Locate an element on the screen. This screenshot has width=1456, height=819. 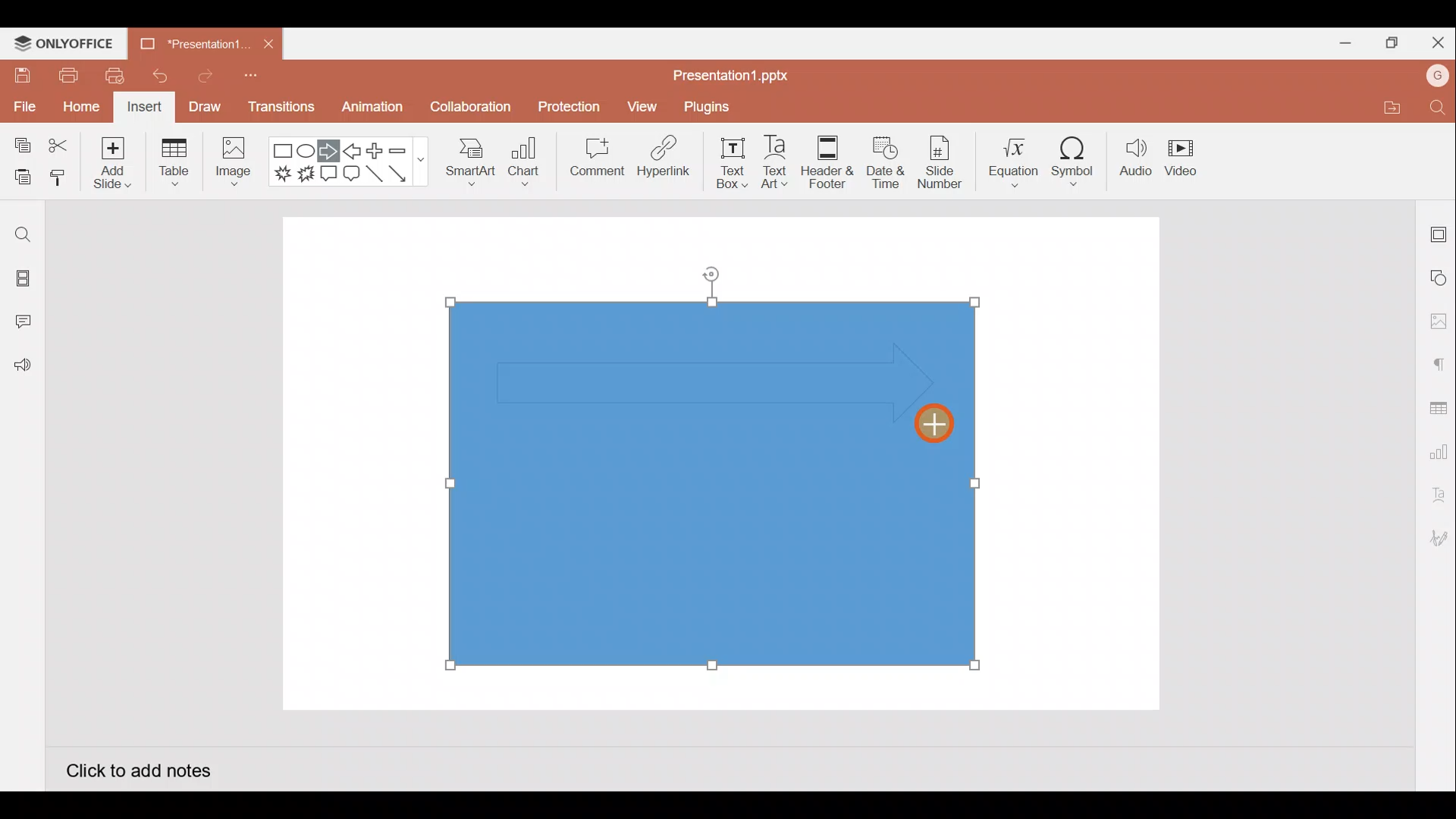
Home is located at coordinates (81, 108).